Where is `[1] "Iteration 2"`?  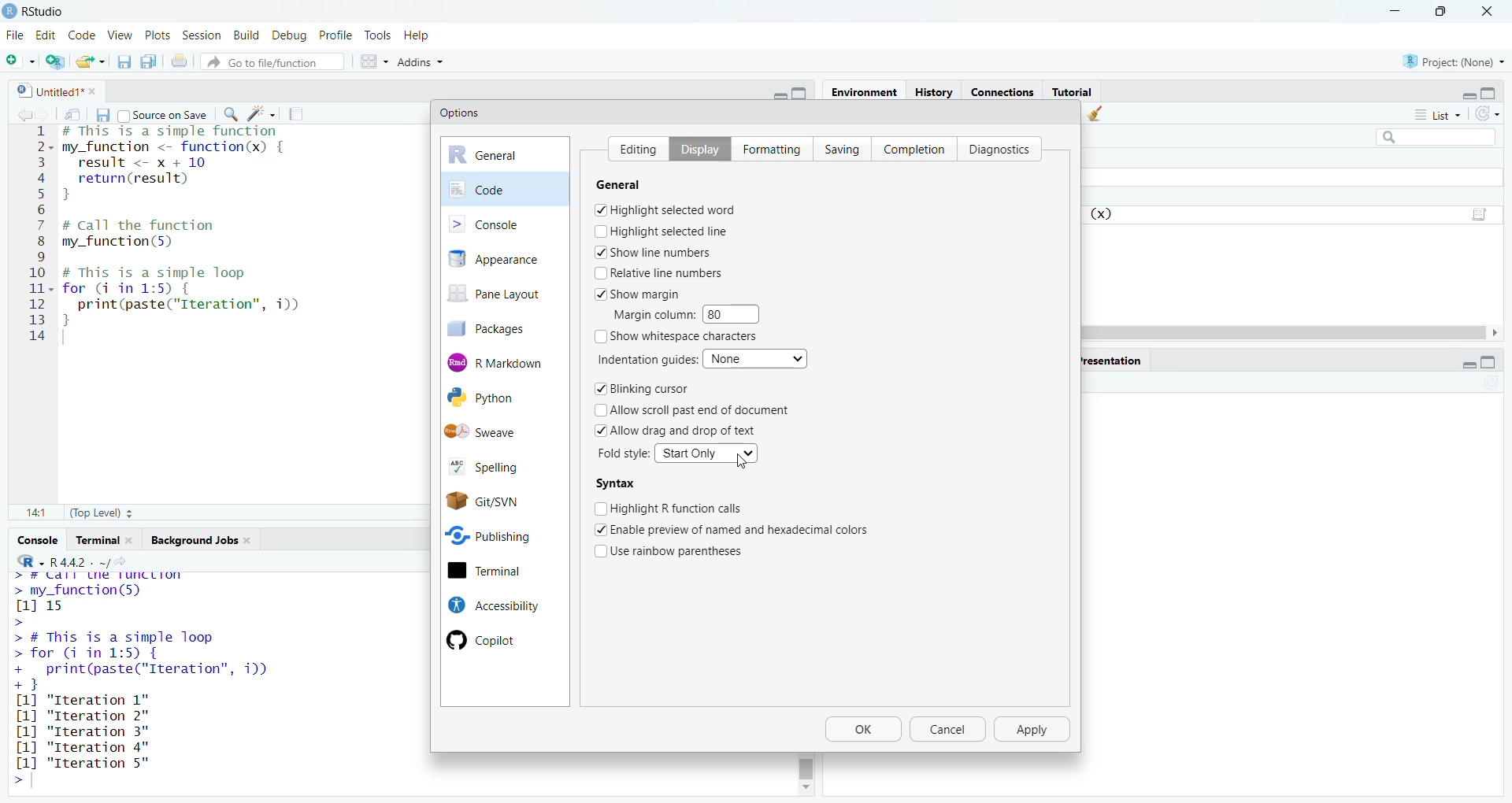 [1] "Iteration 2" is located at coordinates (86, 716).